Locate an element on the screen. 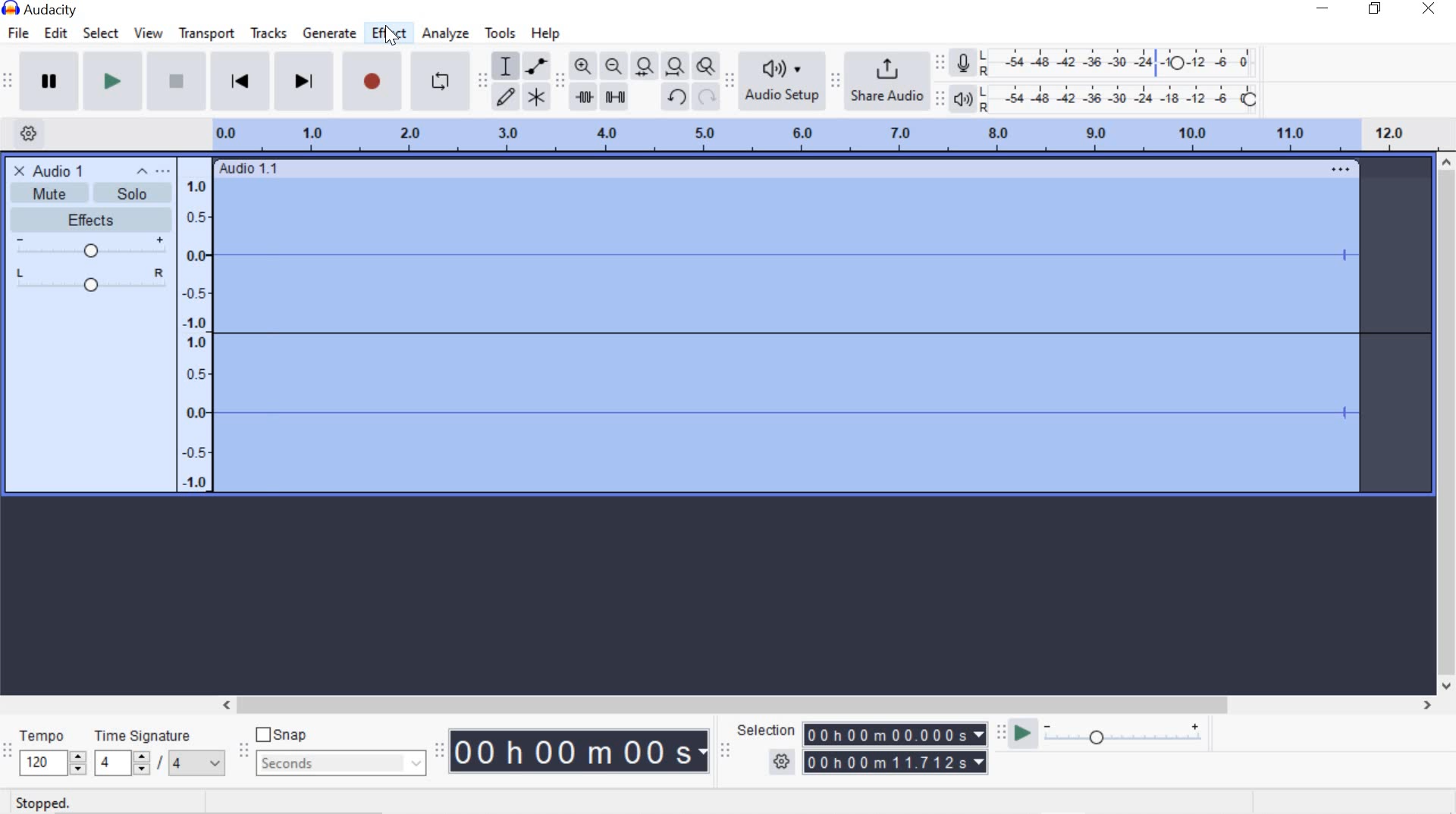  Enable Looping is located at coordinates (440, 83).